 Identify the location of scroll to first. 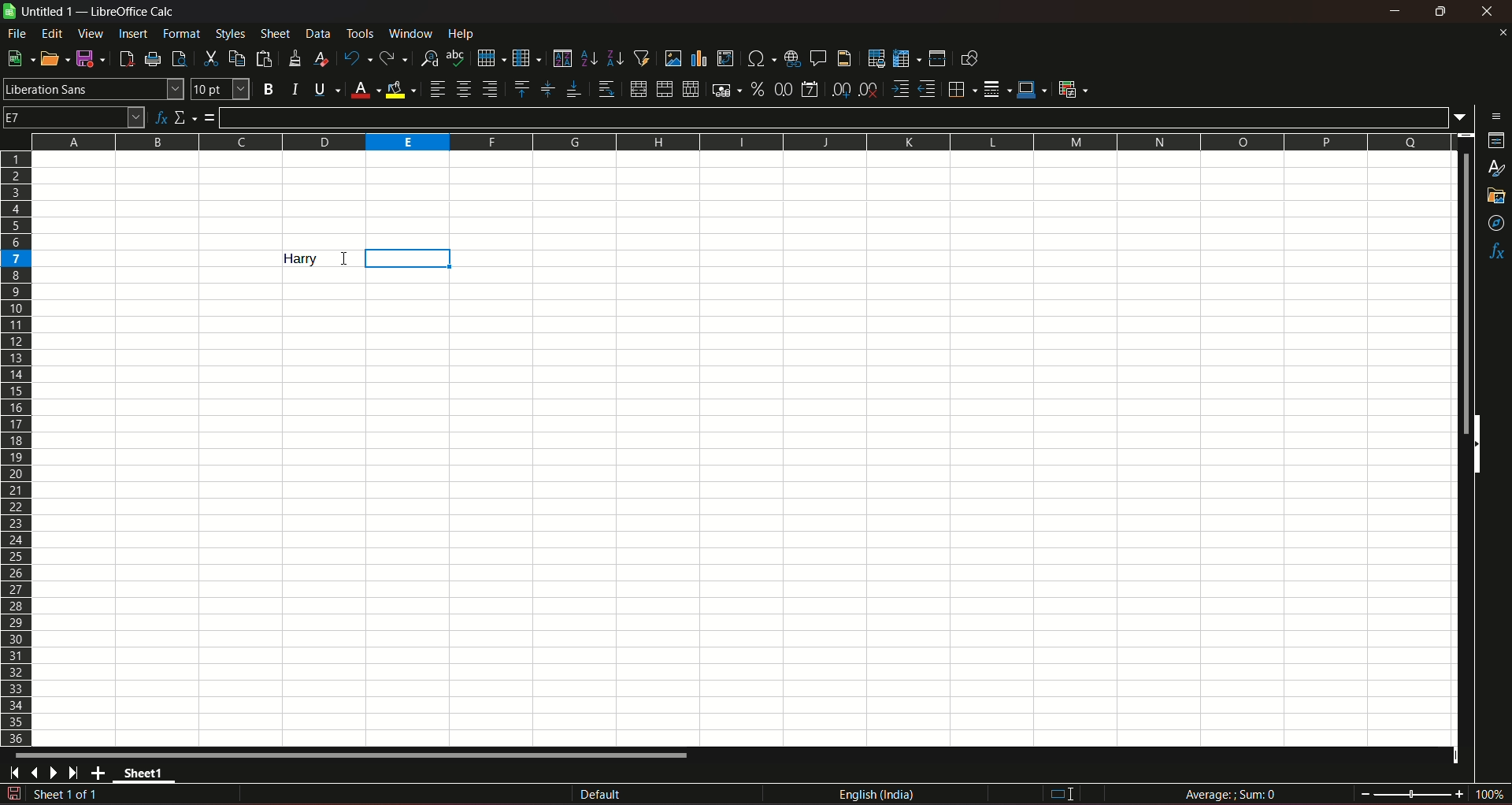
(9, 775).